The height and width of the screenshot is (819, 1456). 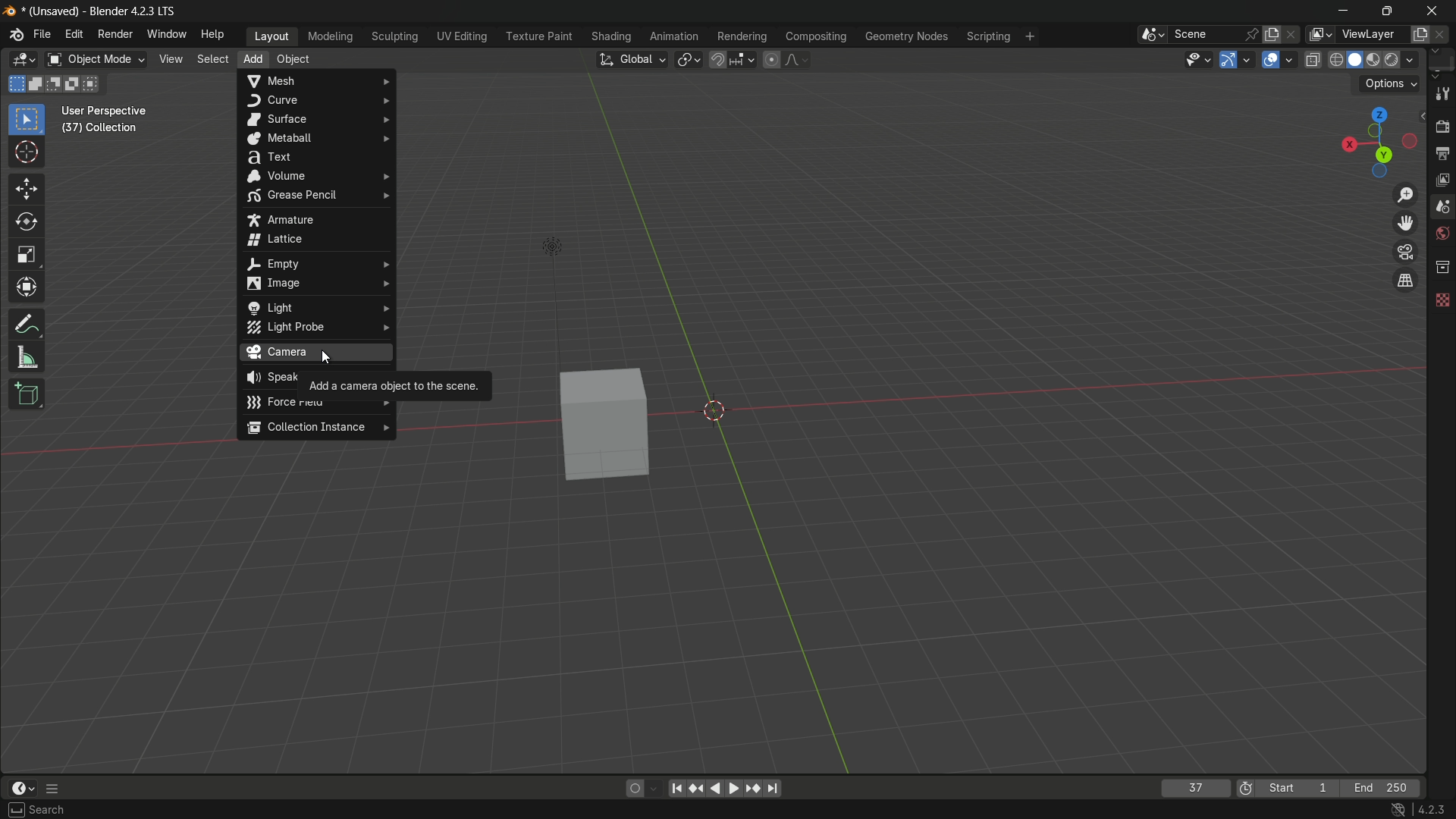 I want to click on browse scene, so click(x=1150, y=35).